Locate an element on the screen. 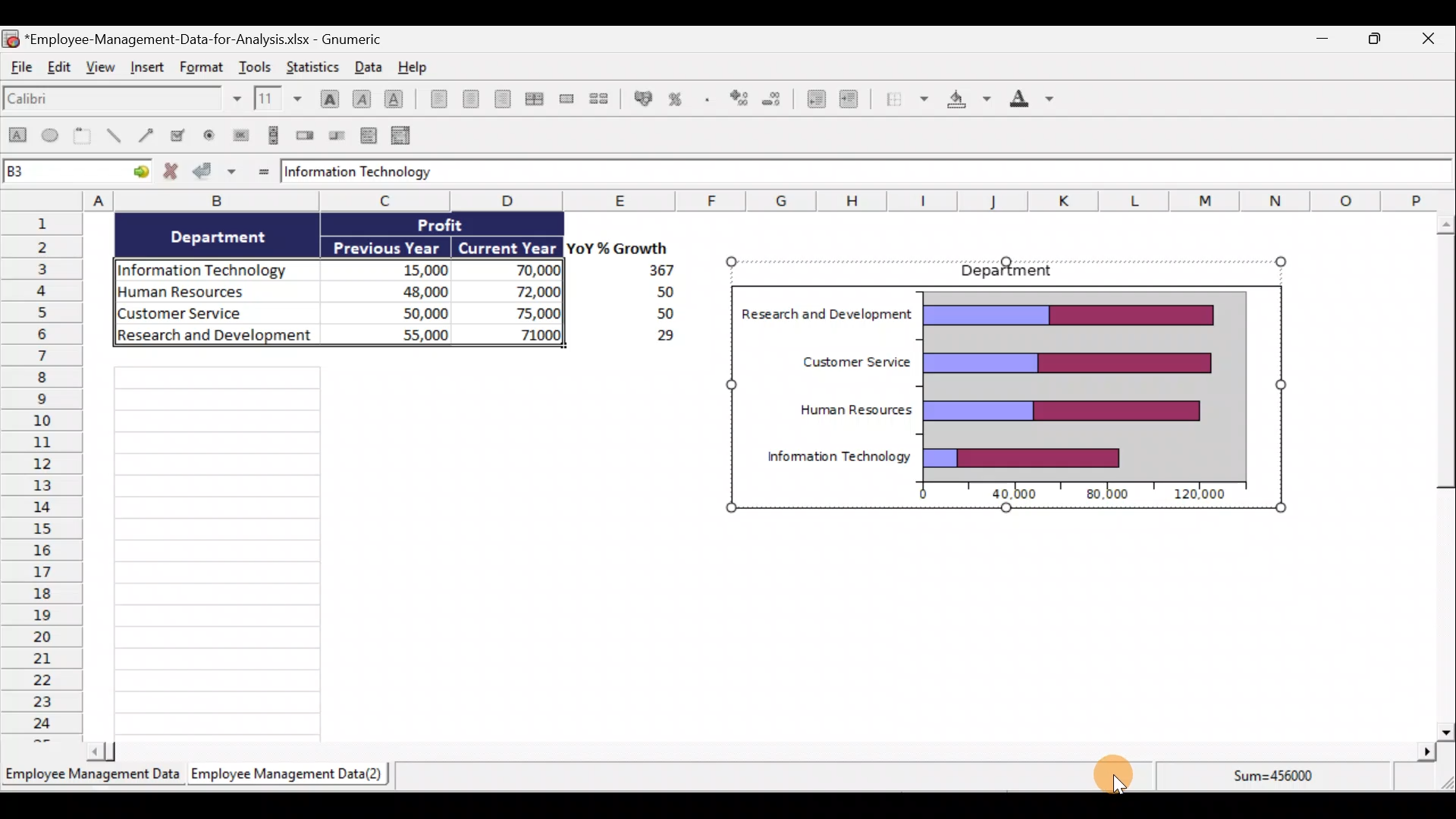 The height and width of the screenshot is (819, 1456). Statistics is located at coordinates (312, 65).